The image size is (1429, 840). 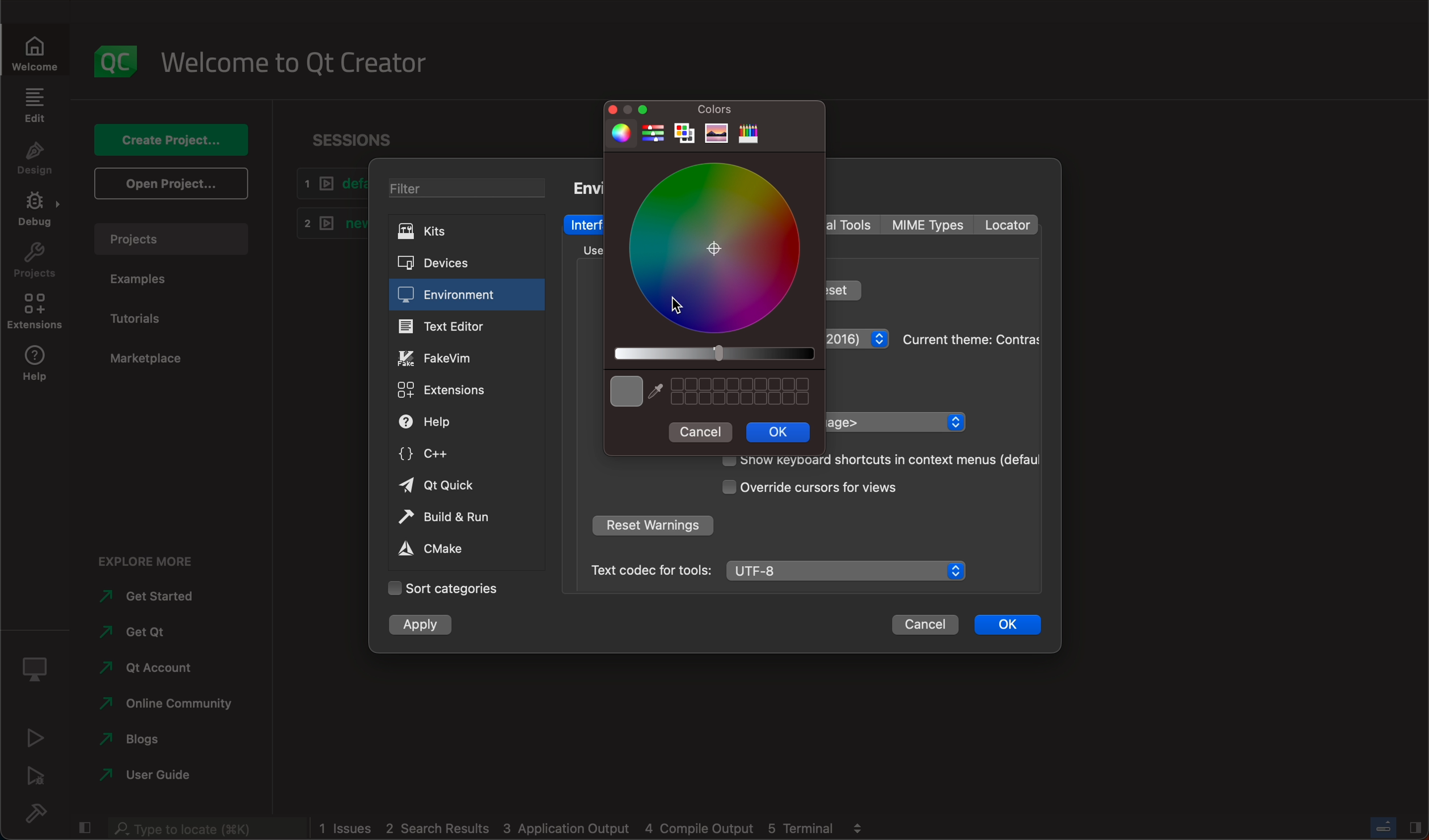 I want to click on color wheel, so click(x=716, y=247).